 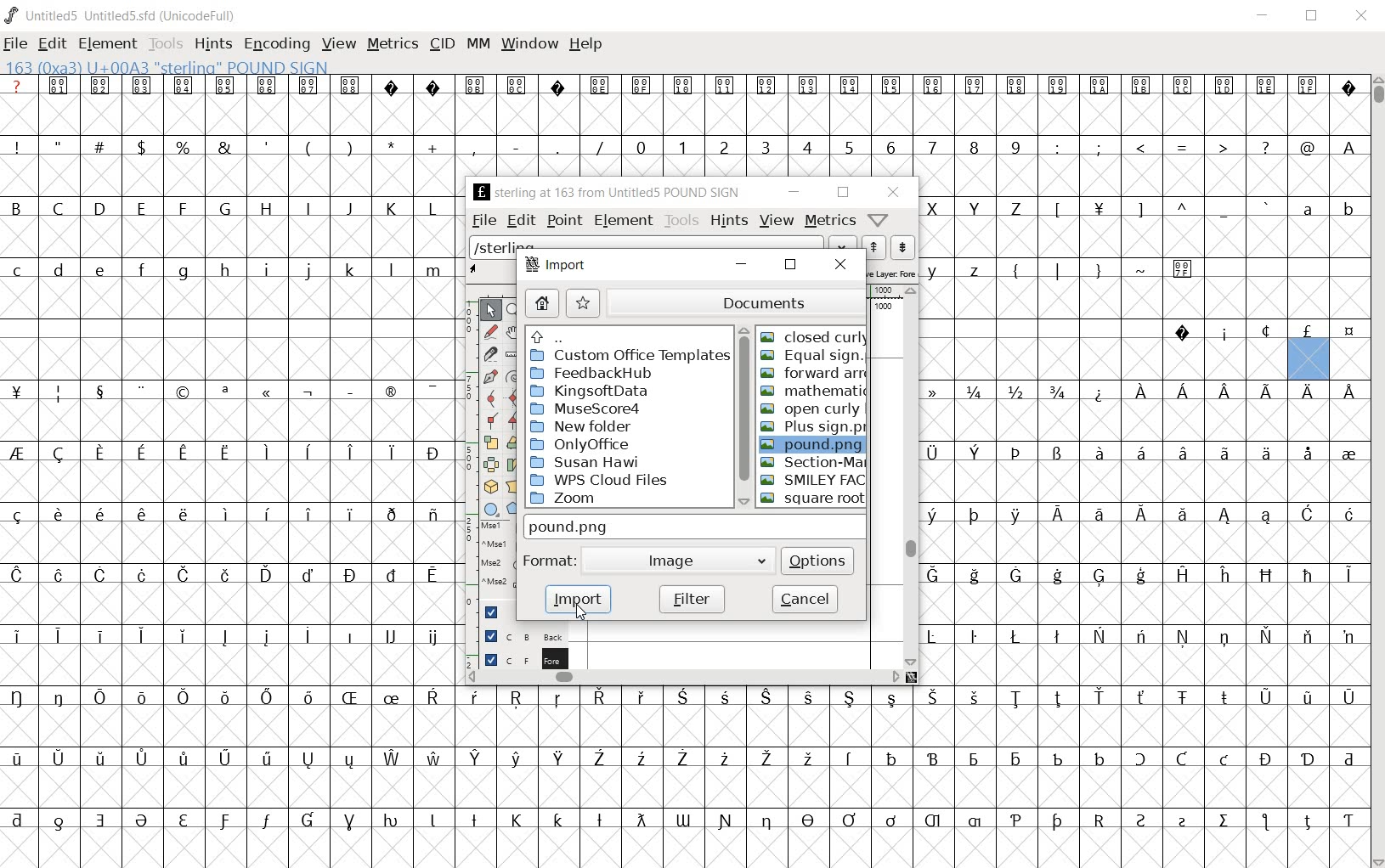 What do you see at coordinates (807, 697) in the screenshot?
I see `Symbol` at bounding box center [807, 697].